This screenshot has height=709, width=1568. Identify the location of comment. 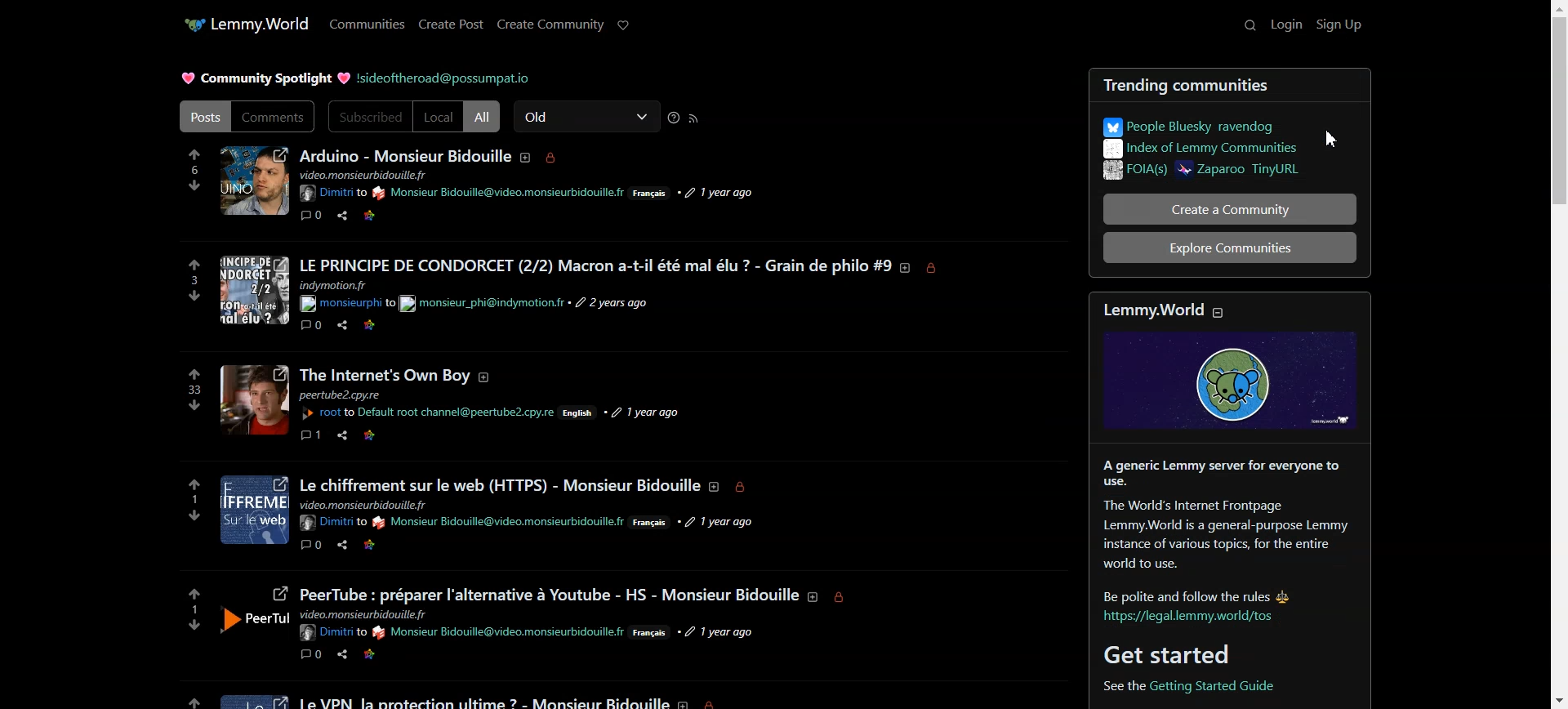
(310, 546).